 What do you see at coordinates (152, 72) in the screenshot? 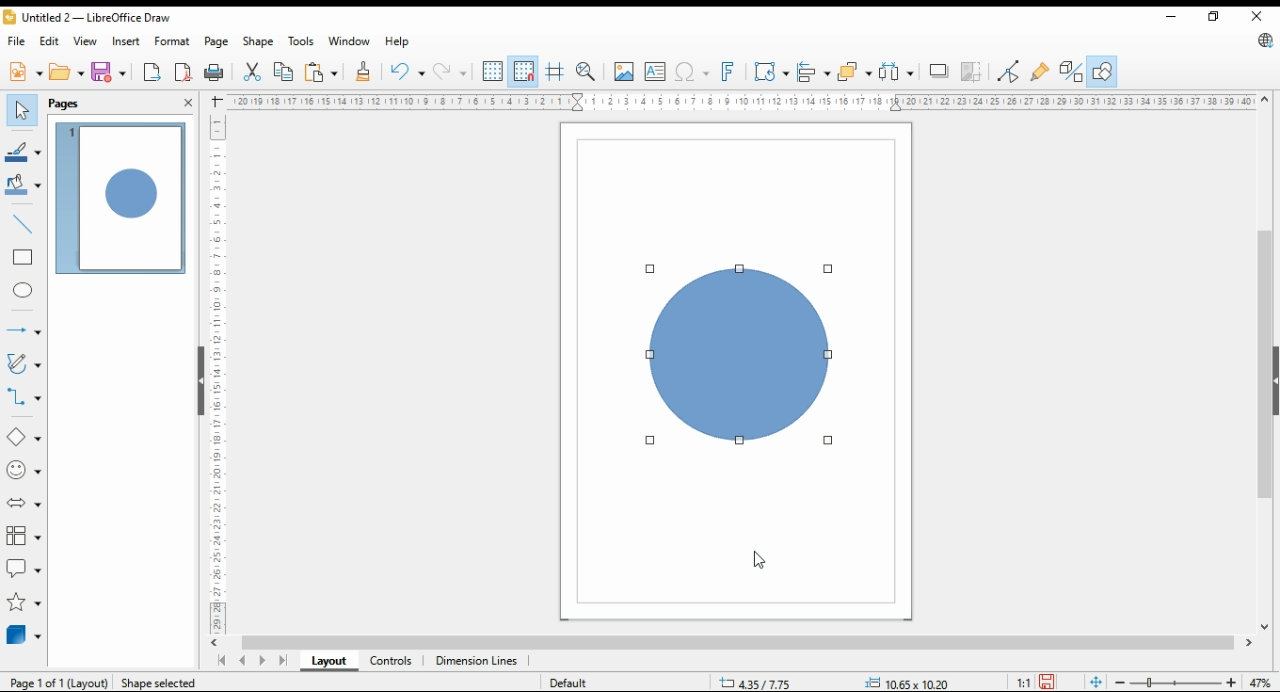
I see `export` at bounding box center [152, 72].